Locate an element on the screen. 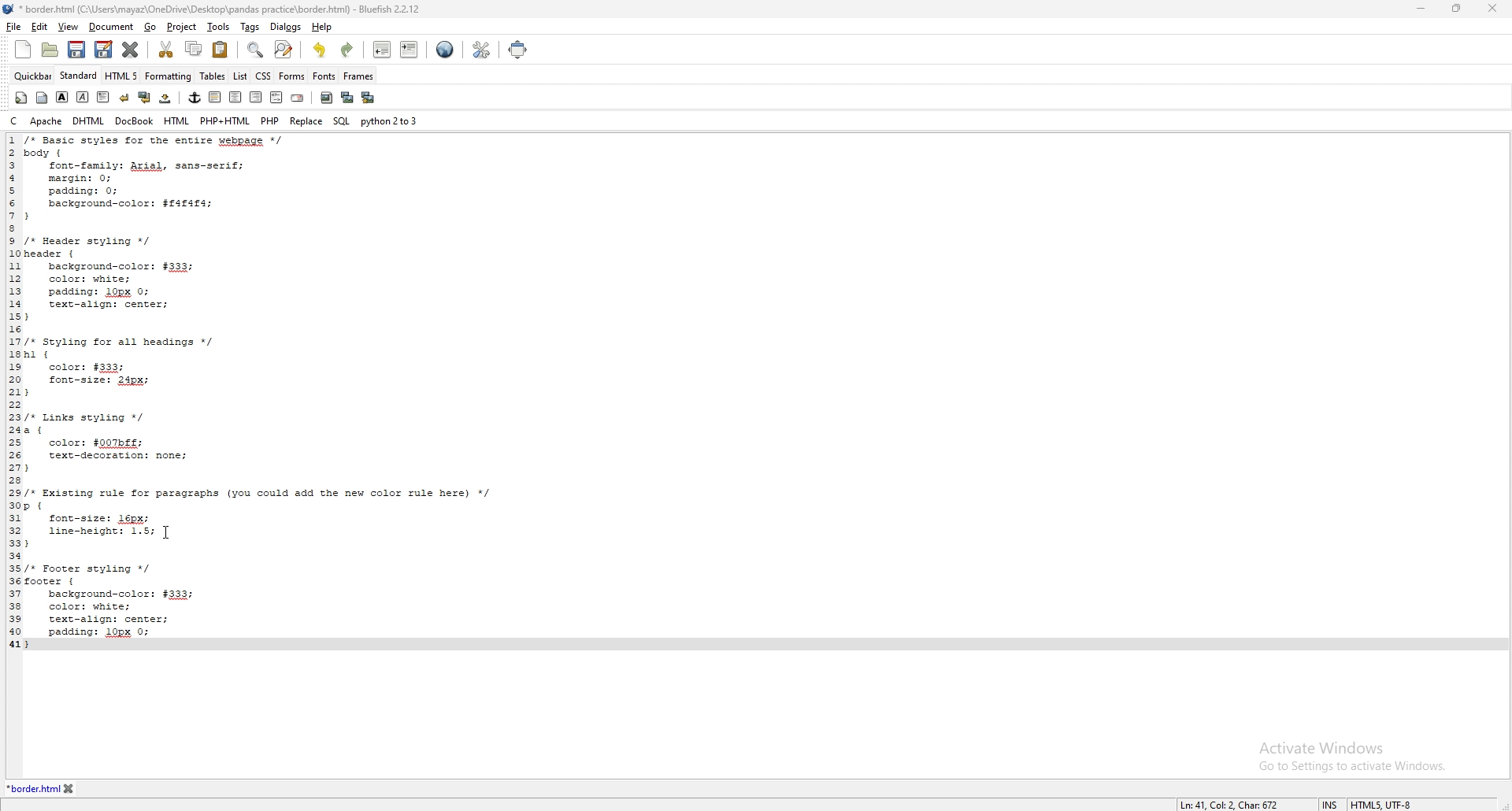  center is located at coordinates (235, 97).